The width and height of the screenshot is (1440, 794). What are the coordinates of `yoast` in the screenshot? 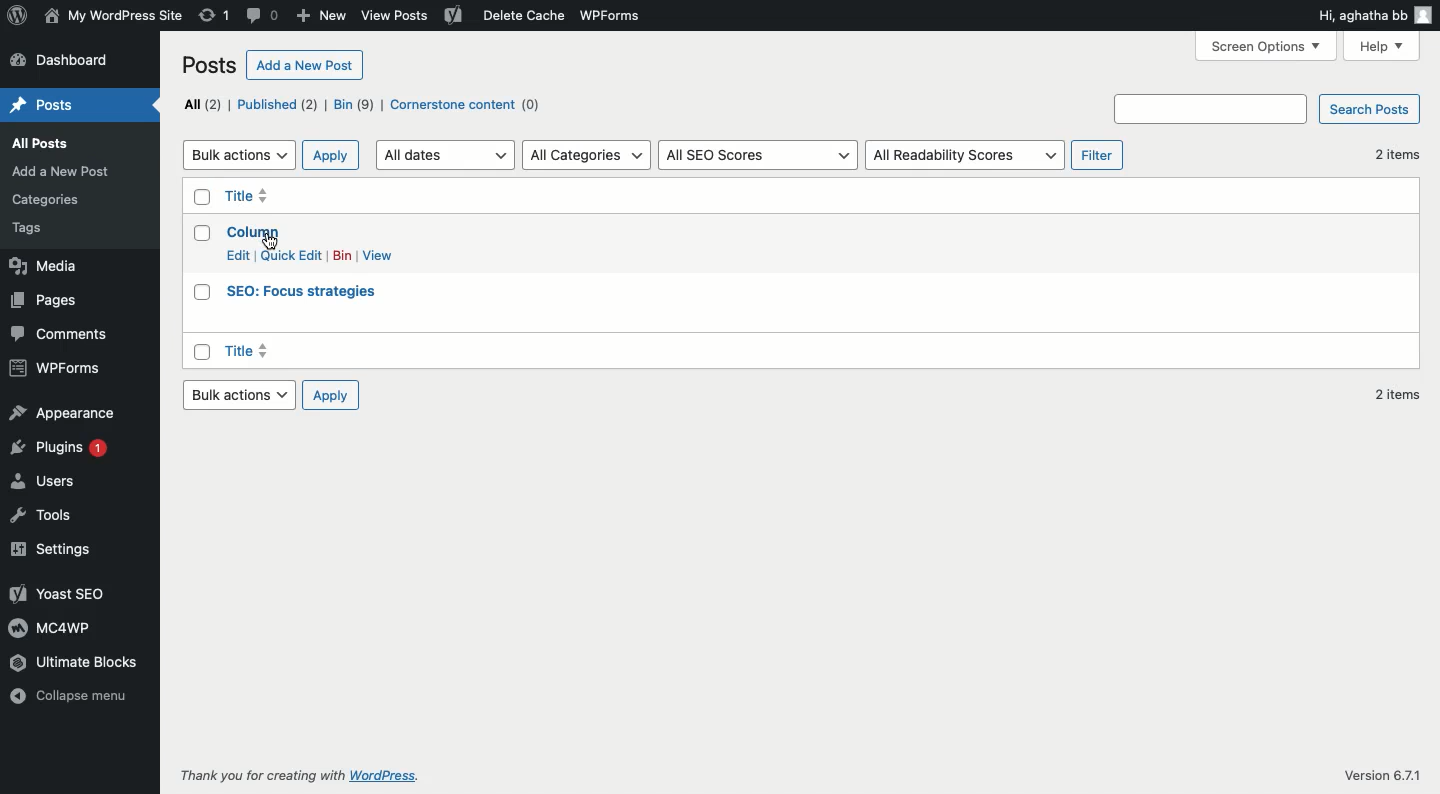 It's located at (453, 15).